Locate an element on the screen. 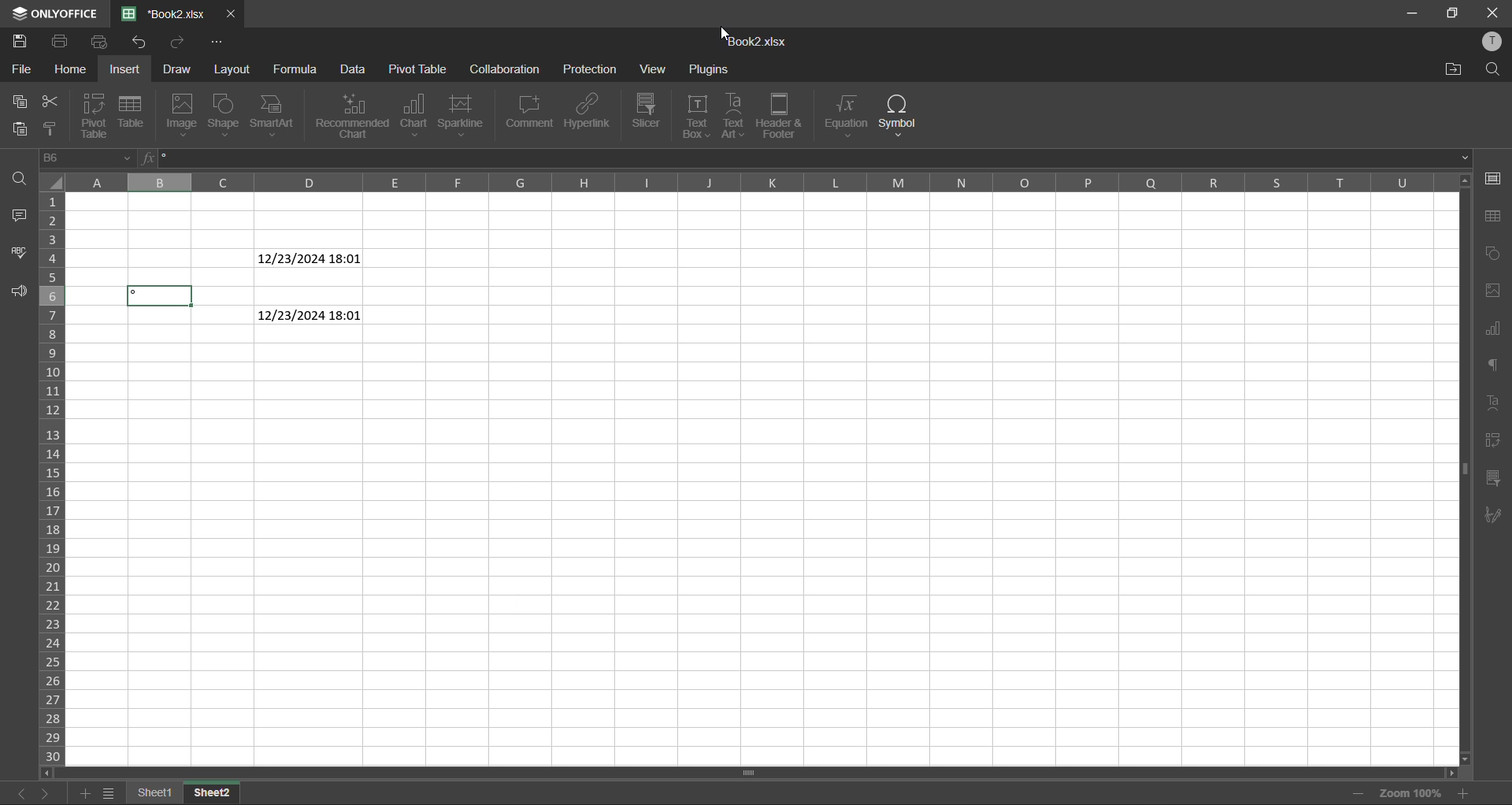 This screenshot has height=805, width=1512. row numbers is located at coordinates (56, 476).